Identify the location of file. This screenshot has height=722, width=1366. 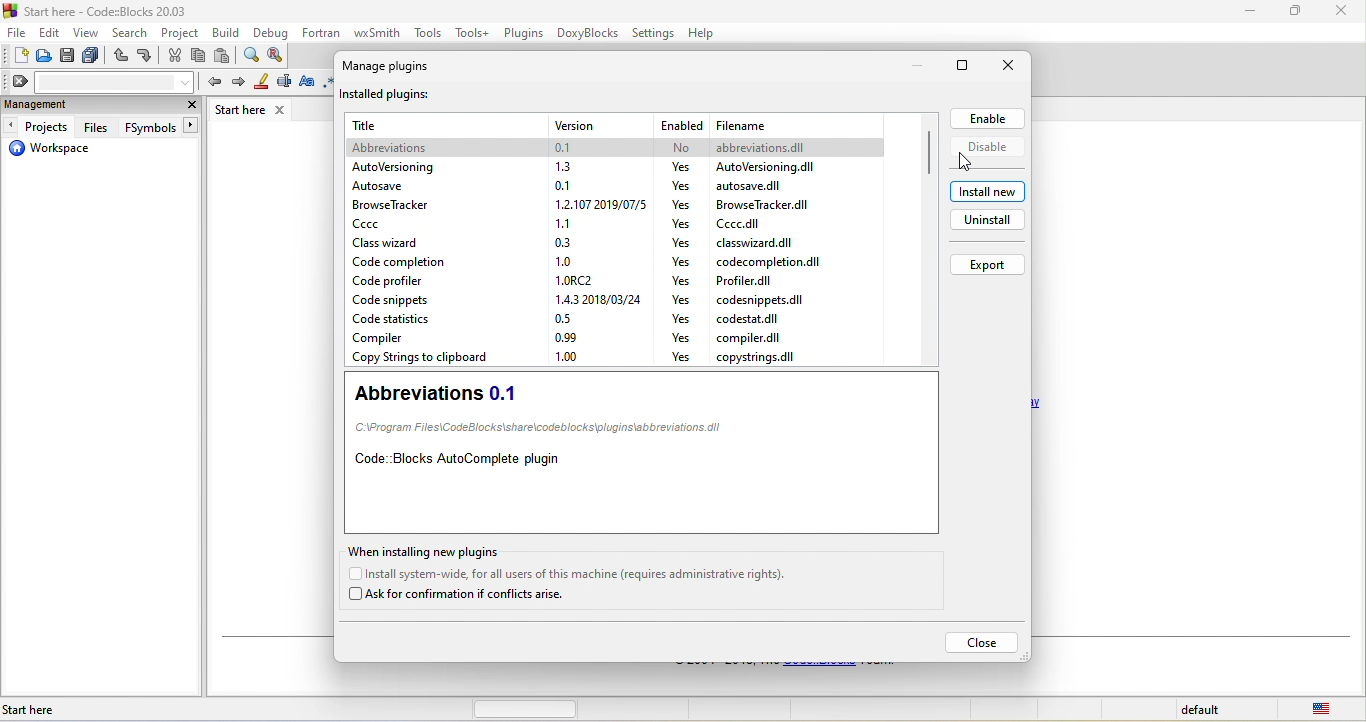
(764, 206).